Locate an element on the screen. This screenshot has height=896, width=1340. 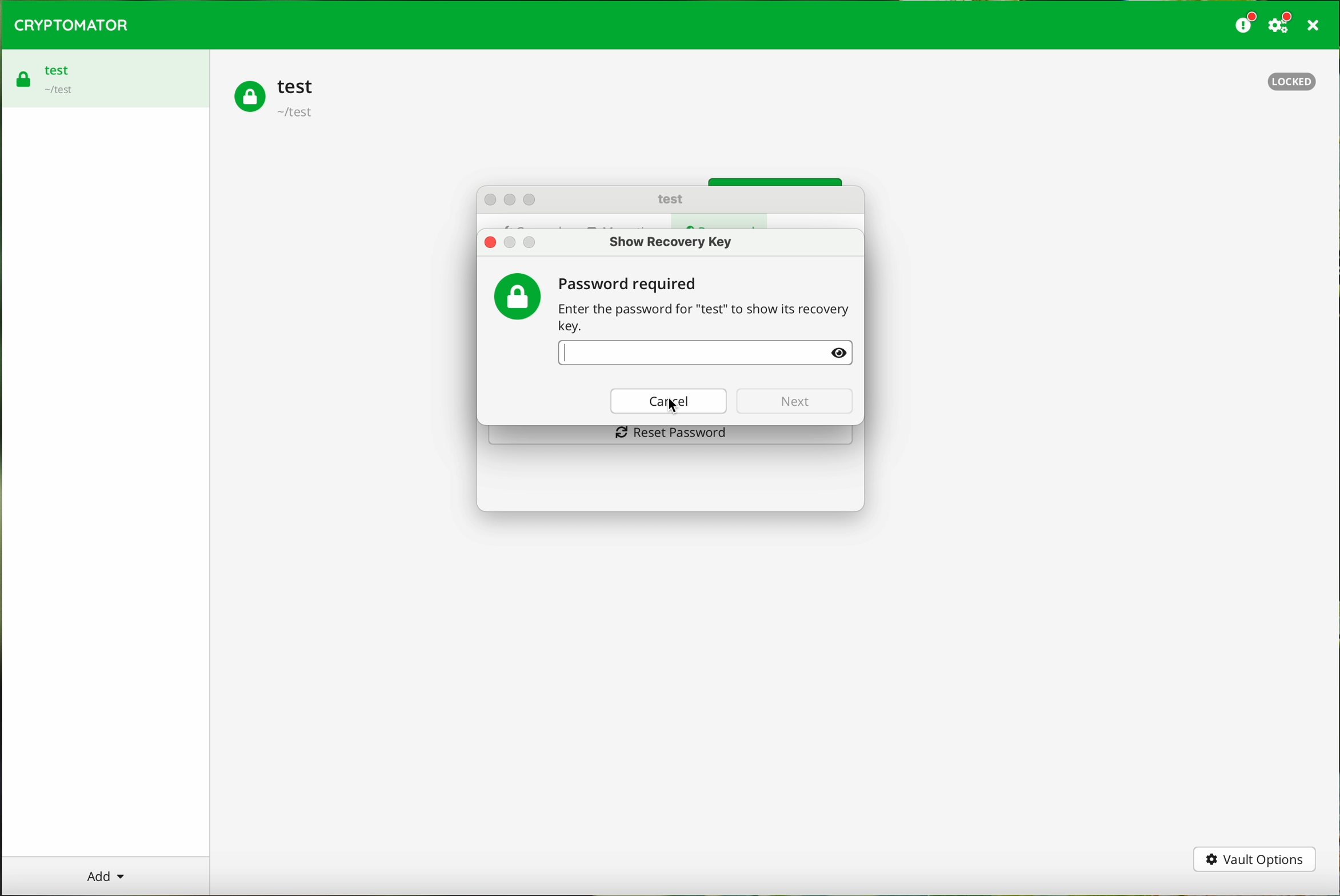
test is located at coordinates (671, 199).